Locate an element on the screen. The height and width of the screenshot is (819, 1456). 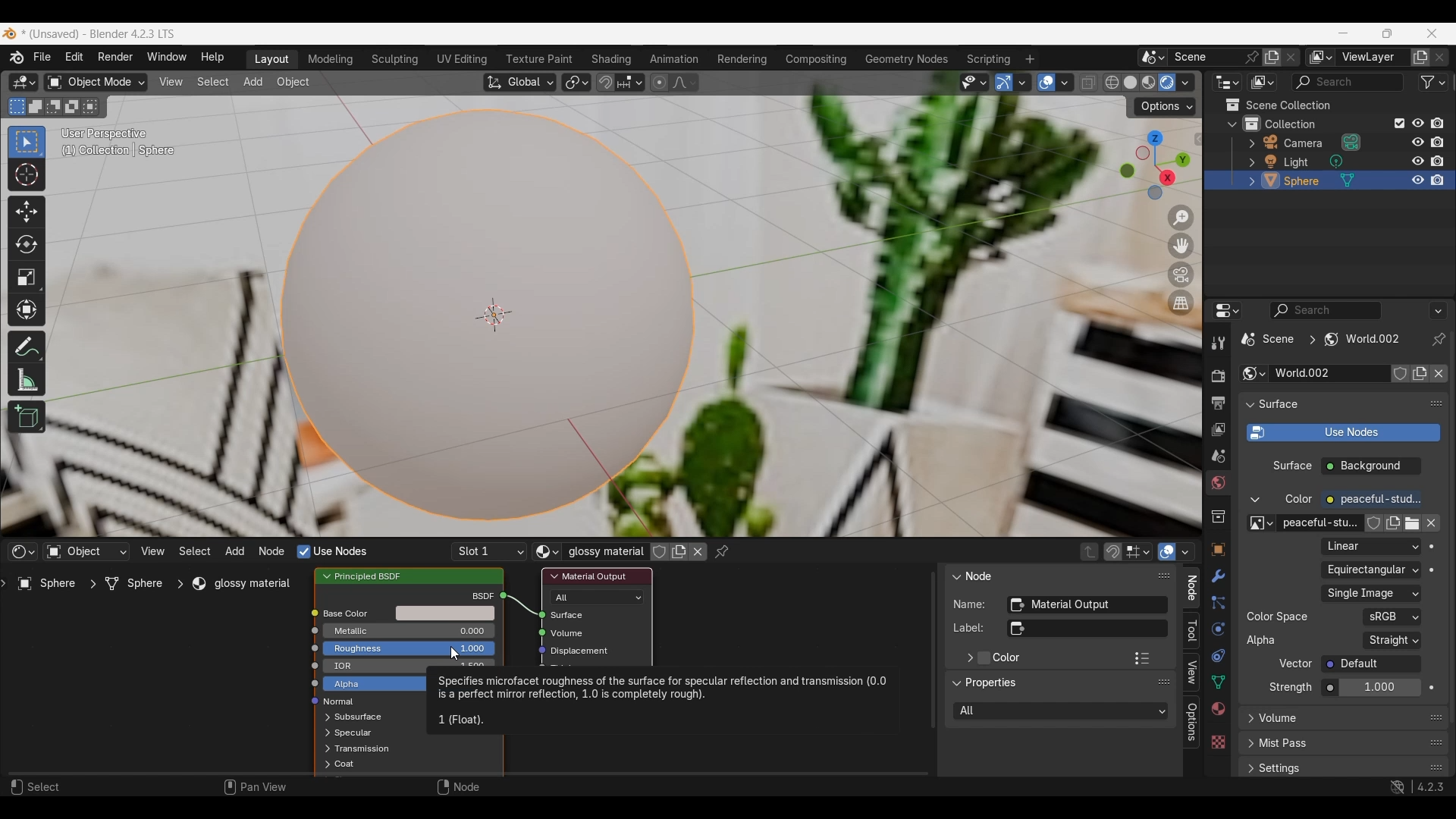
expand respective scenes is located at coordinates (1247, 162).